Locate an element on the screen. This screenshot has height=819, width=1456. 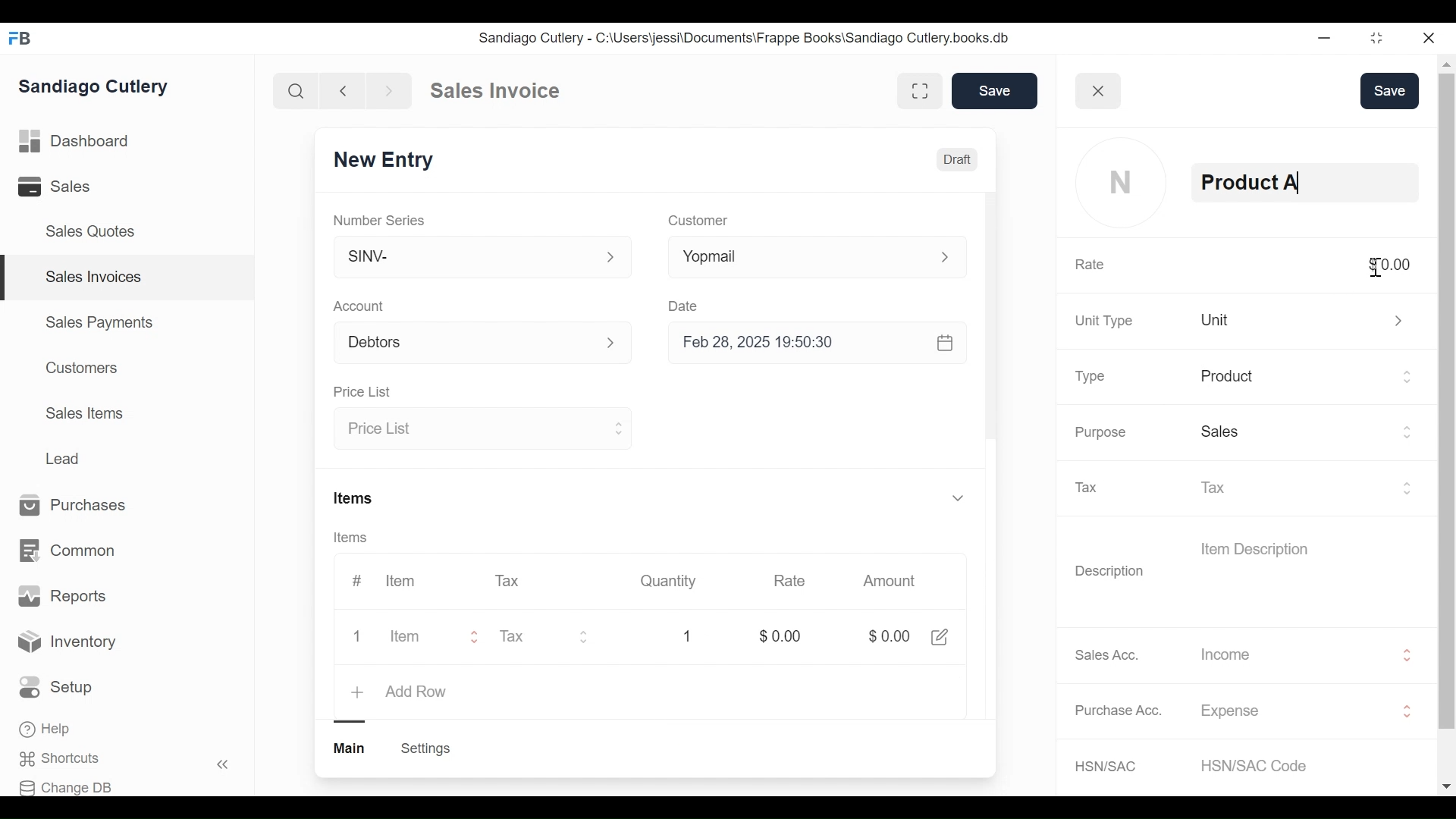
HSN/SAC is located at coordinates (1108, 767).